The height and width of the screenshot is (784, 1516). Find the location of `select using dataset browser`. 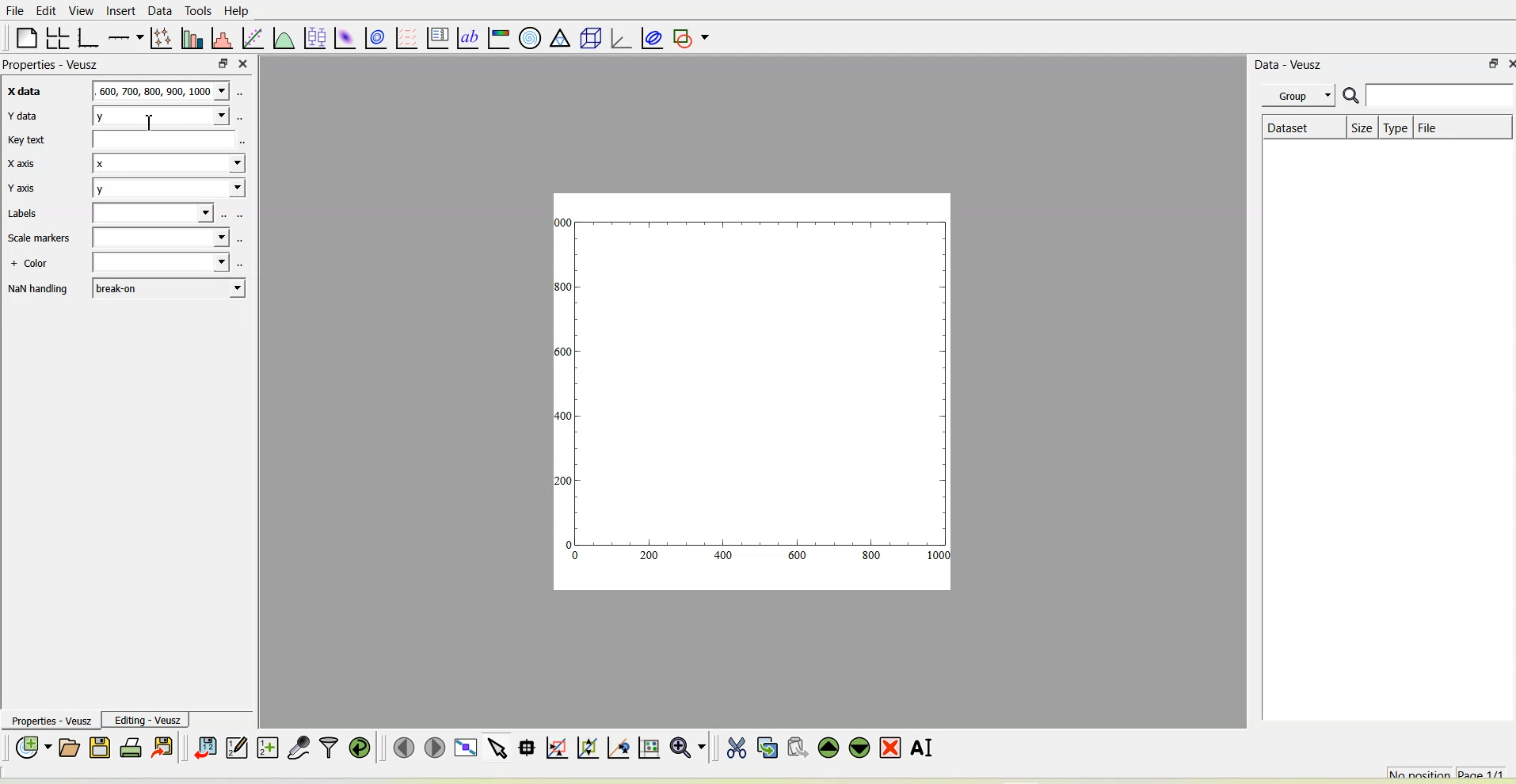

select using dataset browser is located at coordinates (240, 116).